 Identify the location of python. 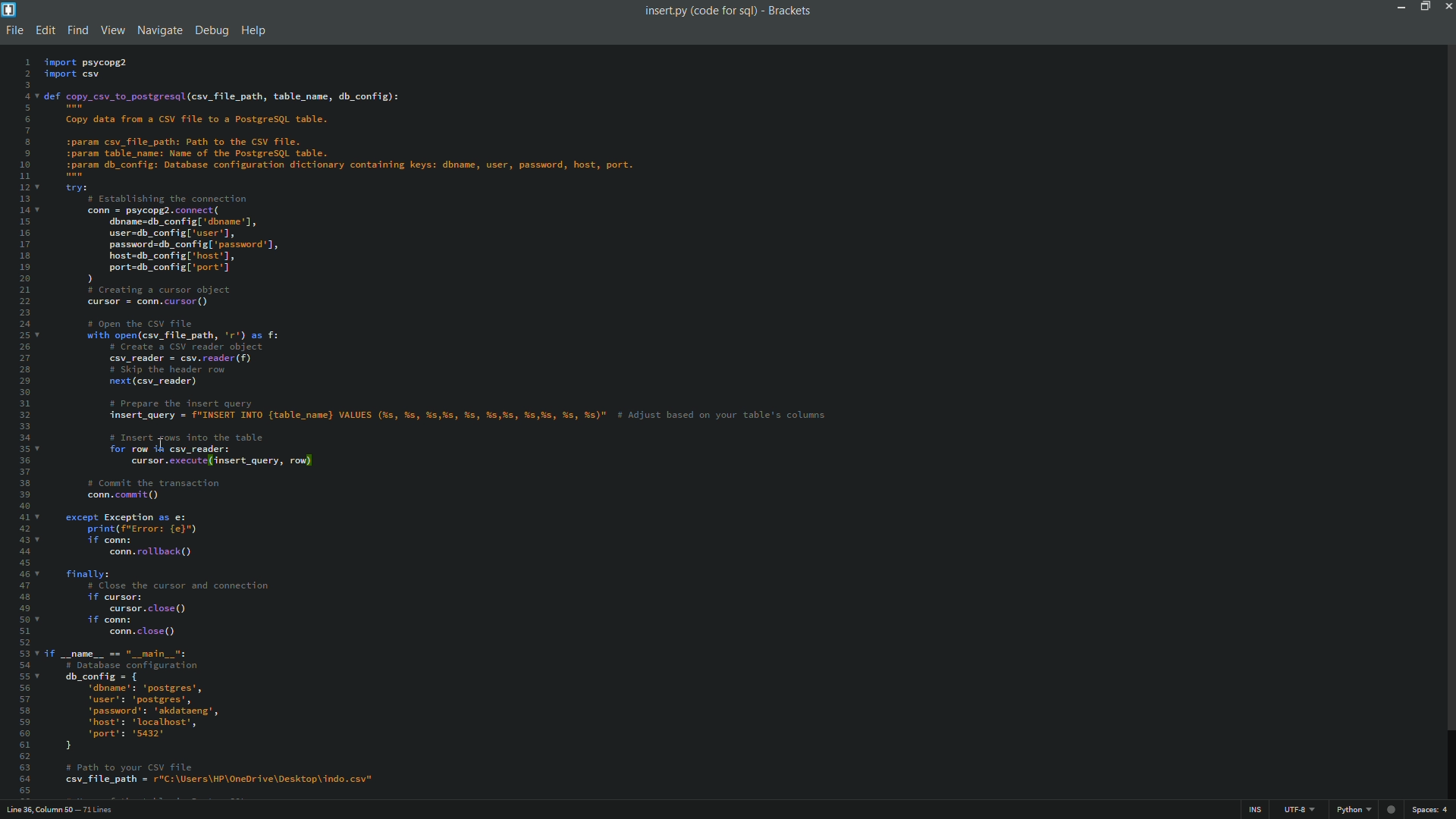
(1353, 810).